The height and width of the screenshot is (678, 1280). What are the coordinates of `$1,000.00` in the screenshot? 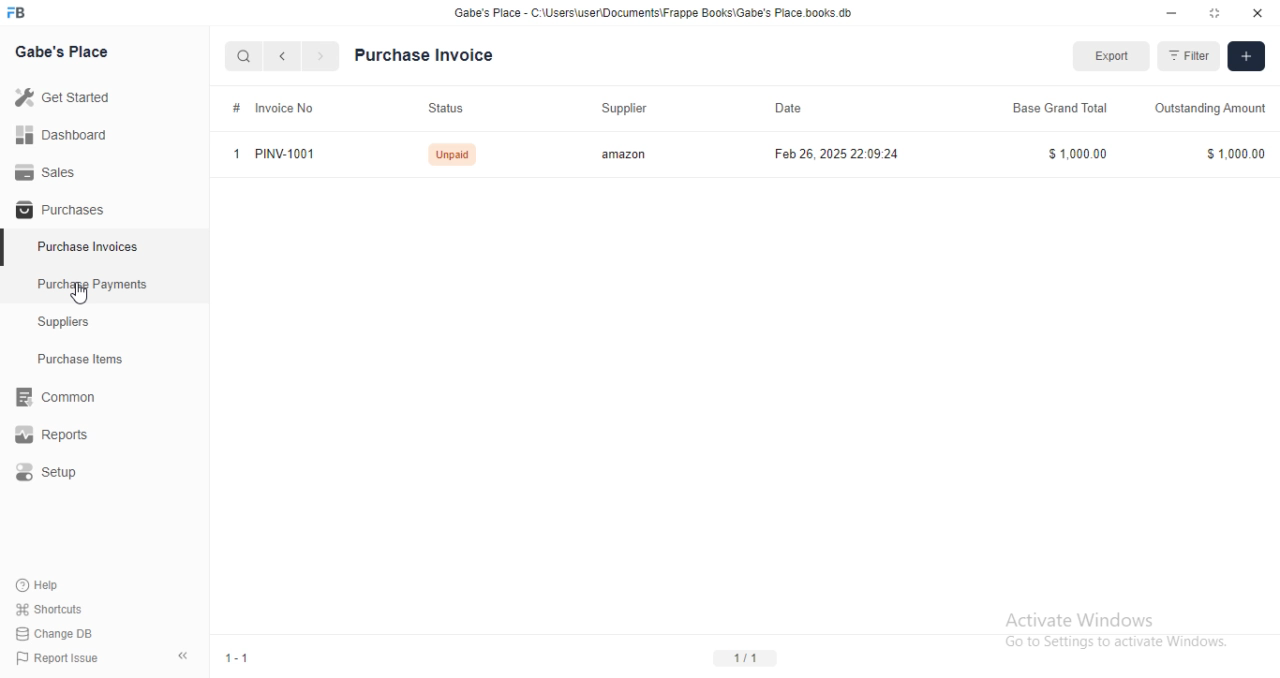 It's located at (1078, 154).